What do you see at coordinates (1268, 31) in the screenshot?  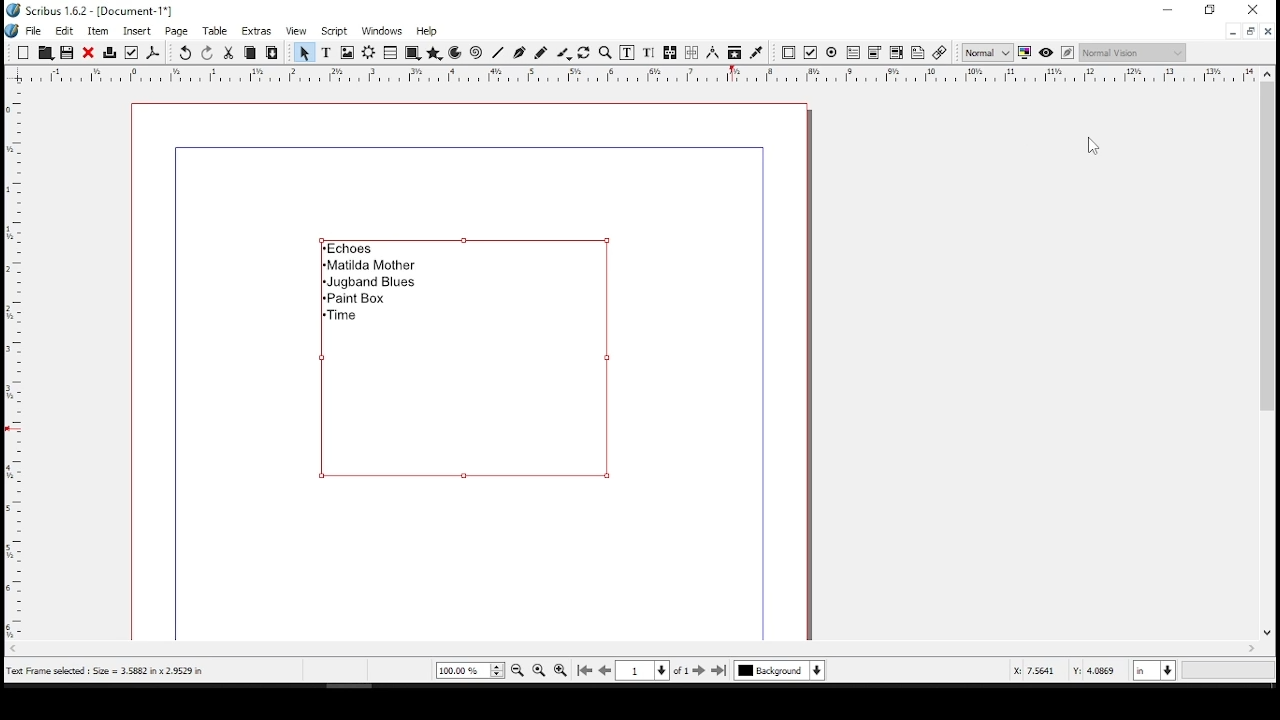 I see `close window` at bounding box center [1268, 31].